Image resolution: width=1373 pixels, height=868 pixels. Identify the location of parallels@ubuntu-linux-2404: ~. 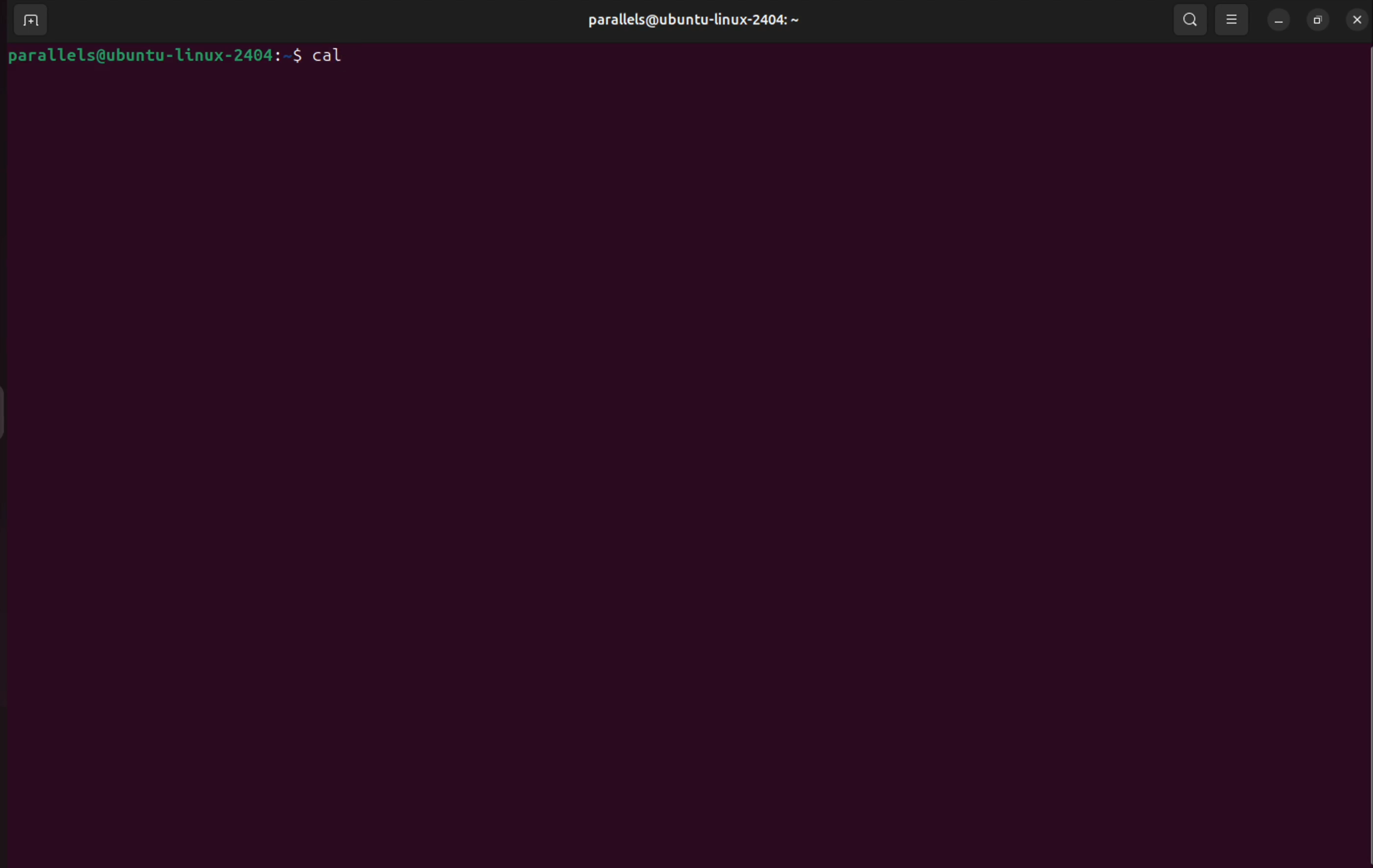
(689, 23).